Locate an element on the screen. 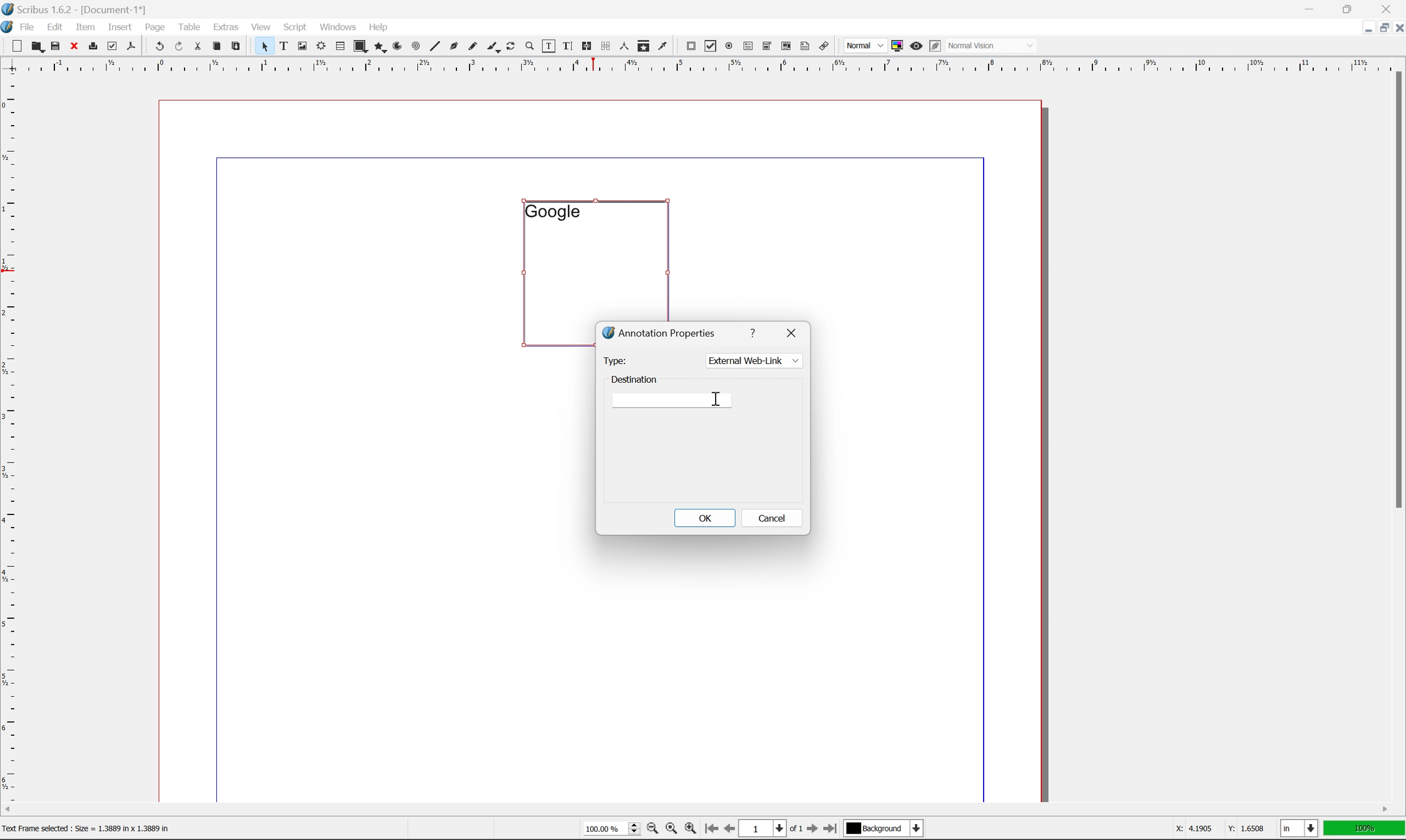 The height and width of the screenshot is (840, 1406). link annotation is located at coordinates (824, 47).